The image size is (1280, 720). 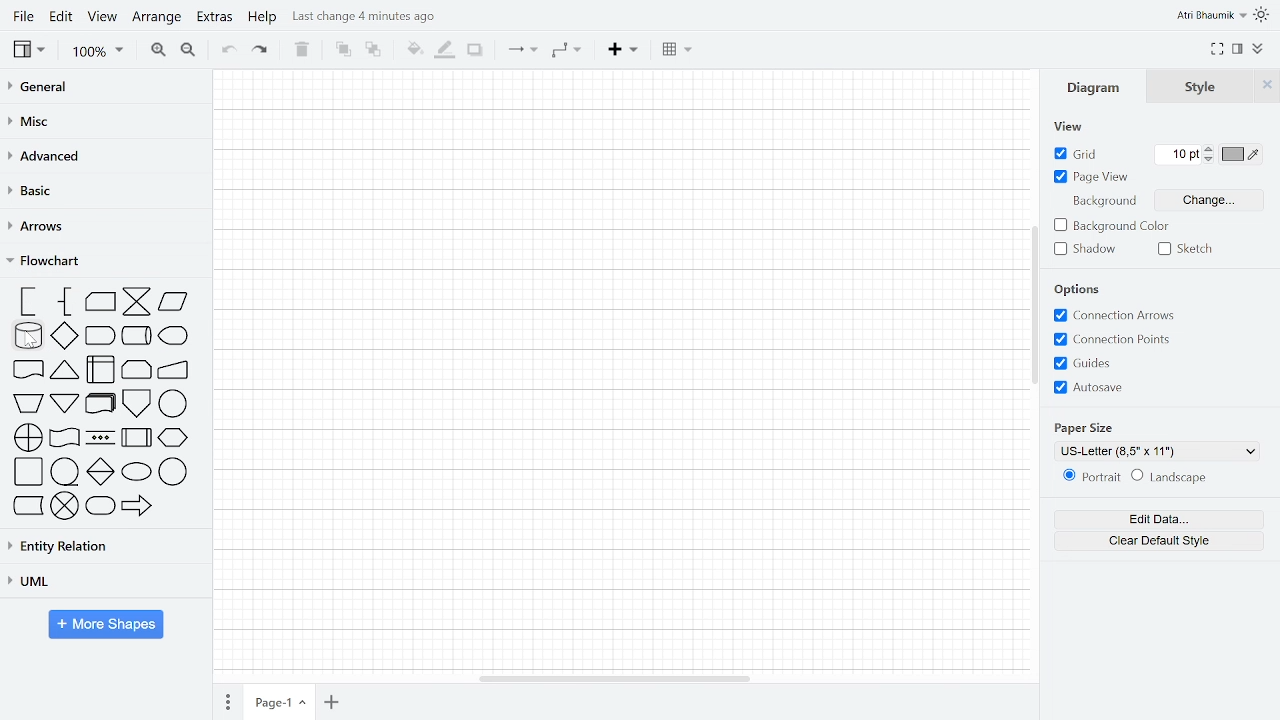 What do you see at coordinates (676, 49) in the screenshot?
I see `Table` at bounding box center [676, 49].